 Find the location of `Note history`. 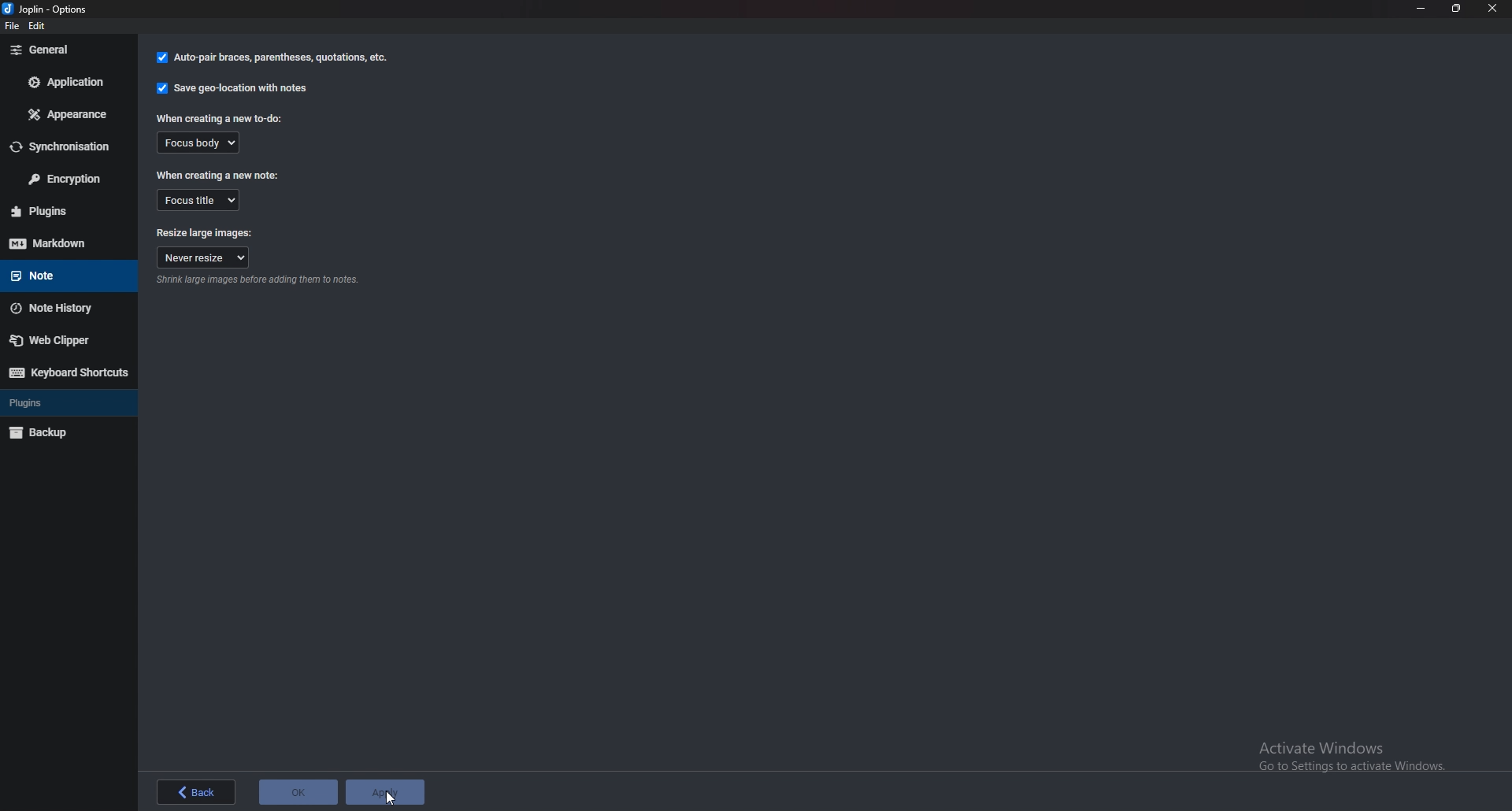

Note history is located at coordinates (62, 309).